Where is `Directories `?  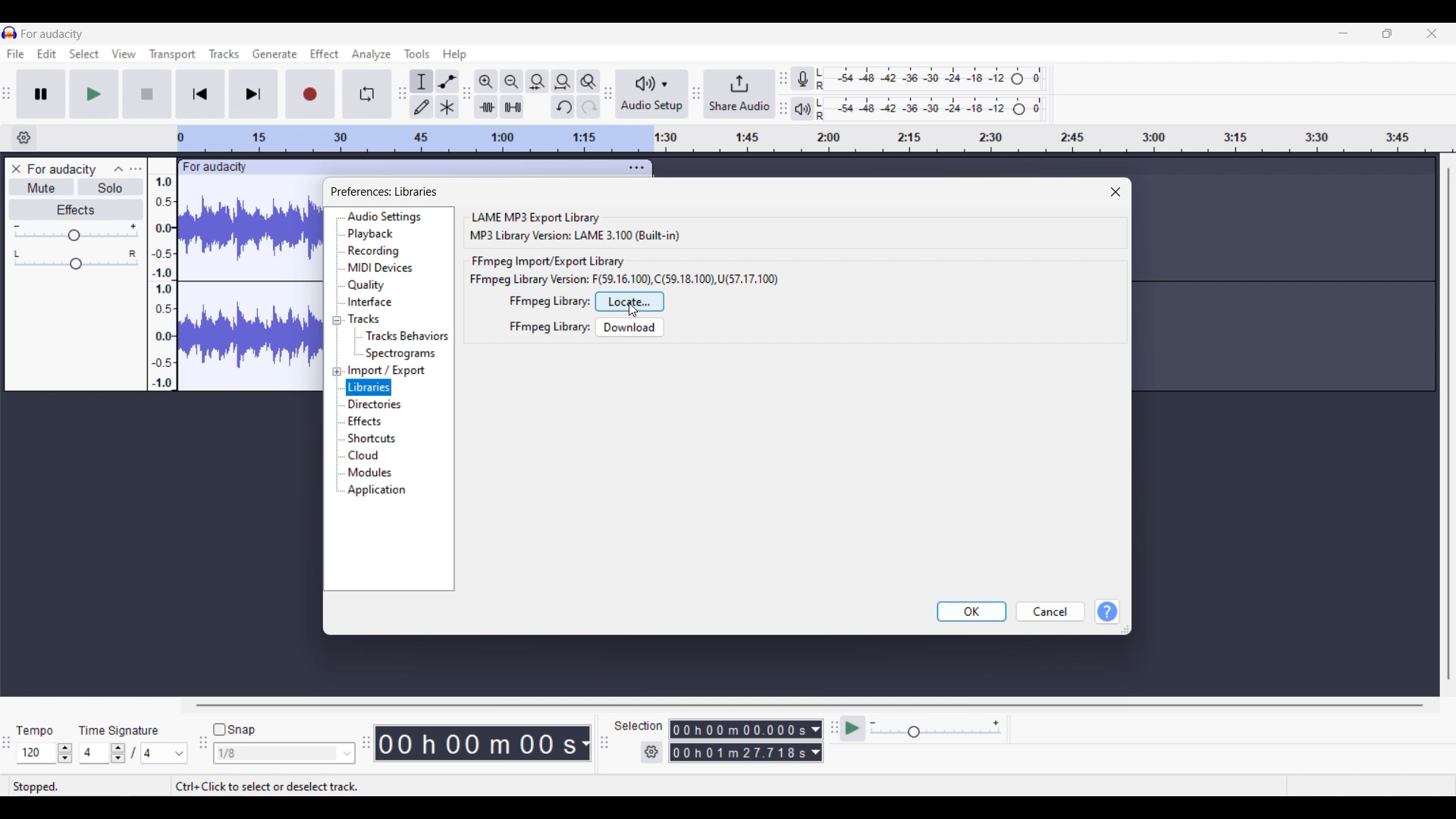 Directories  is located at coordinates (378, 405).